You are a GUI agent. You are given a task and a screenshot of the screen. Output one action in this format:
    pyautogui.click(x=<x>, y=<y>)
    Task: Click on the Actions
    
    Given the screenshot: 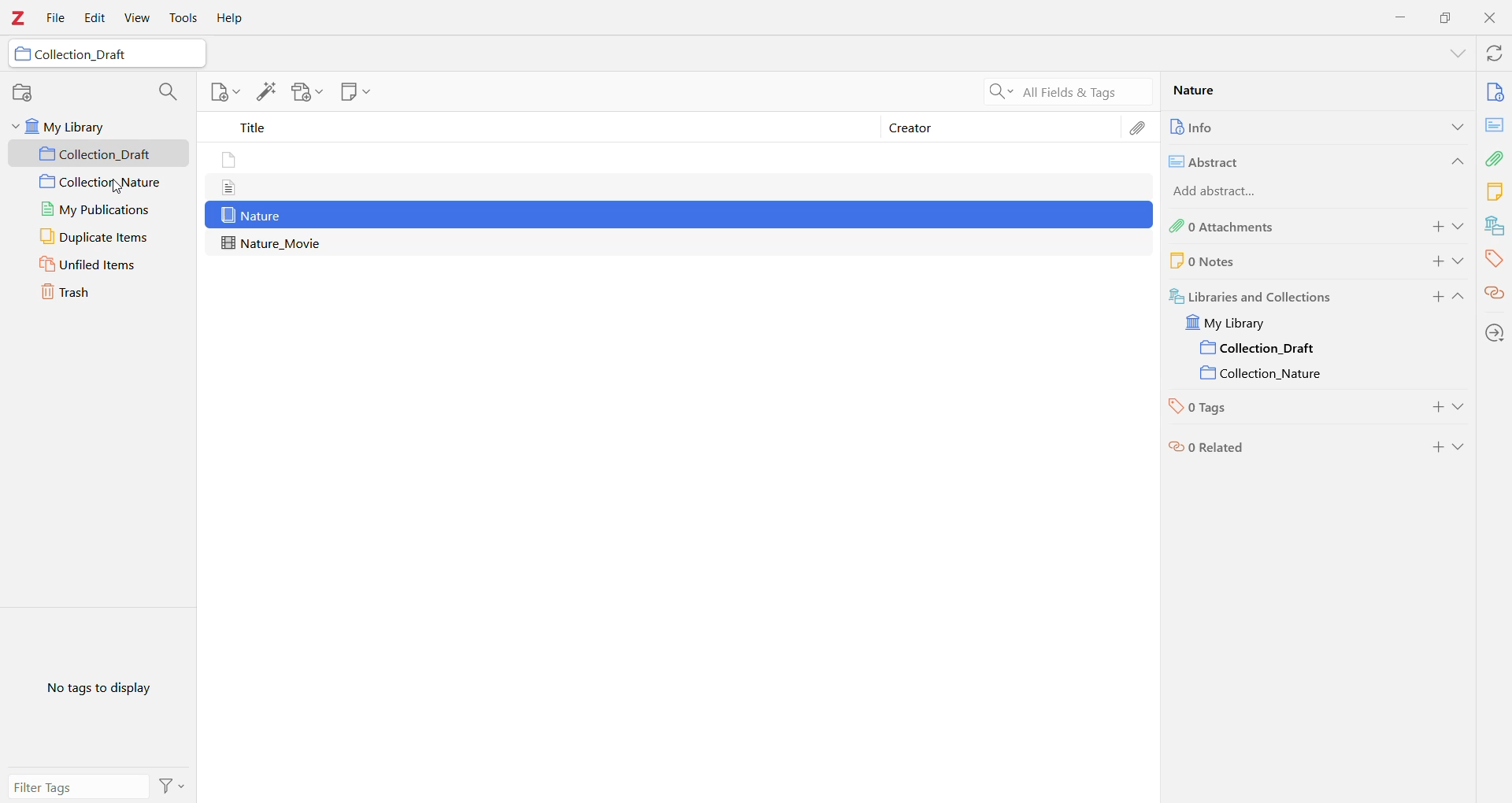 What is the action you would take?
    pyautogui.click(x=172, y=785)
    